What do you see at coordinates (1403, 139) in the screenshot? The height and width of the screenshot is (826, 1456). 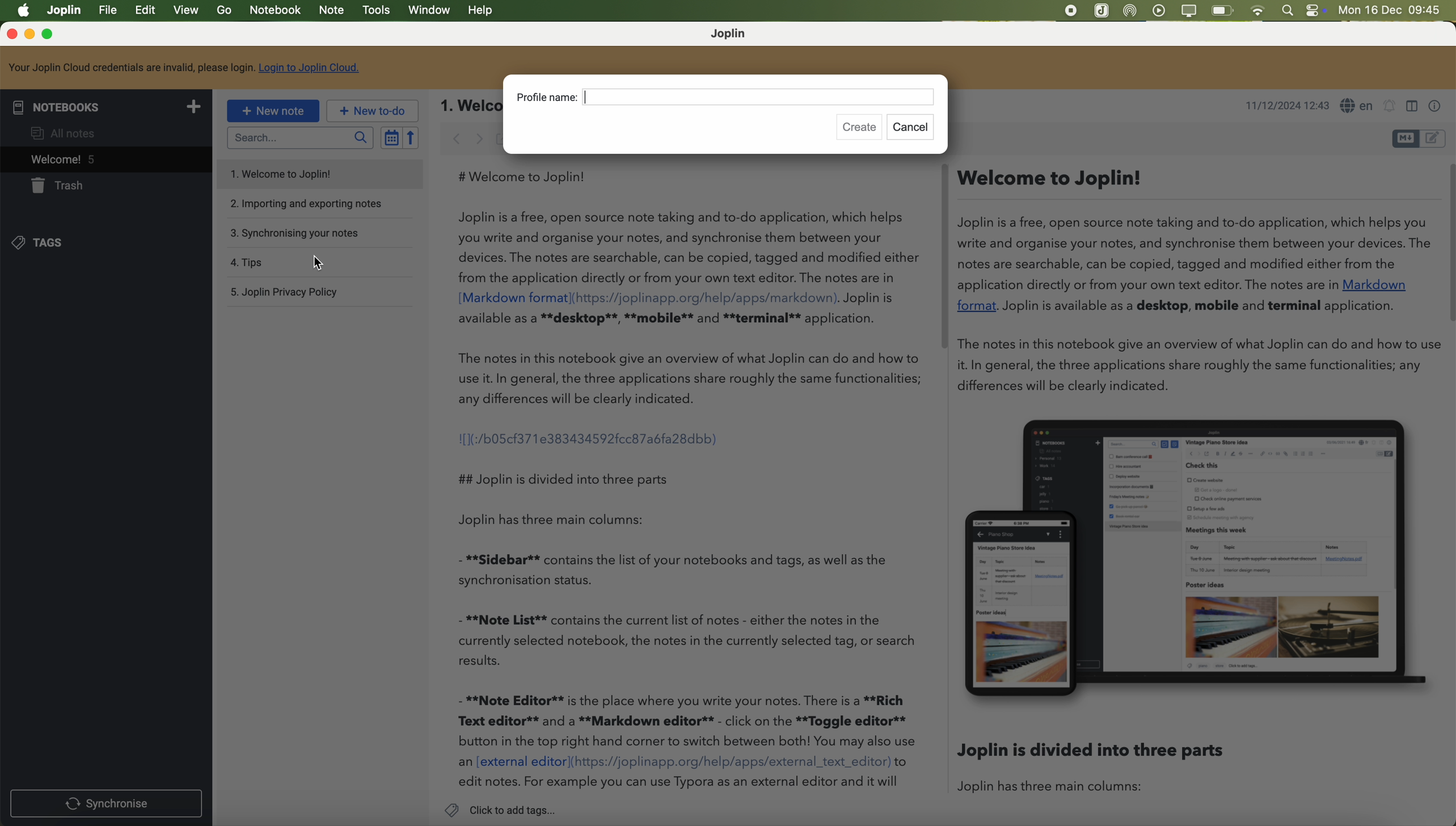 I see `toggle editors` at bounding box center [1403, 139].